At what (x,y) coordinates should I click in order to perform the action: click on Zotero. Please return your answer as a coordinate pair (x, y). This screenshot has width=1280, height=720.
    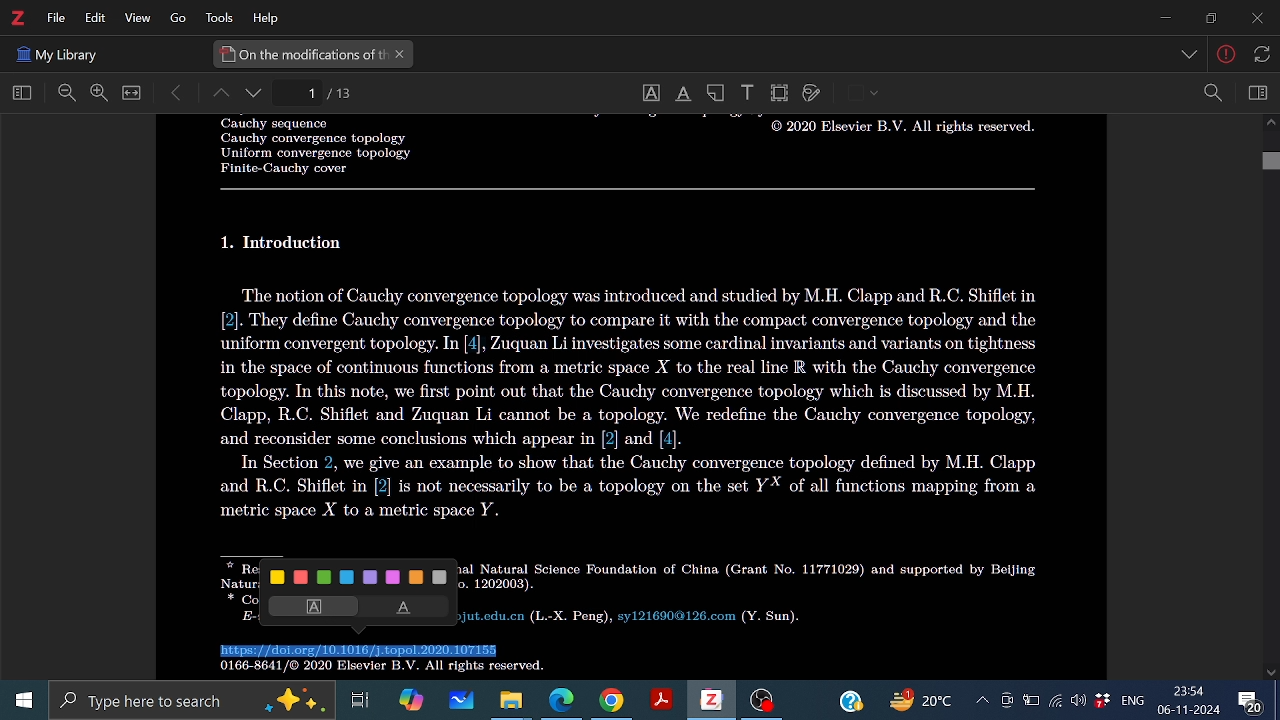
    Looking at the image, I should click on (17, 18).